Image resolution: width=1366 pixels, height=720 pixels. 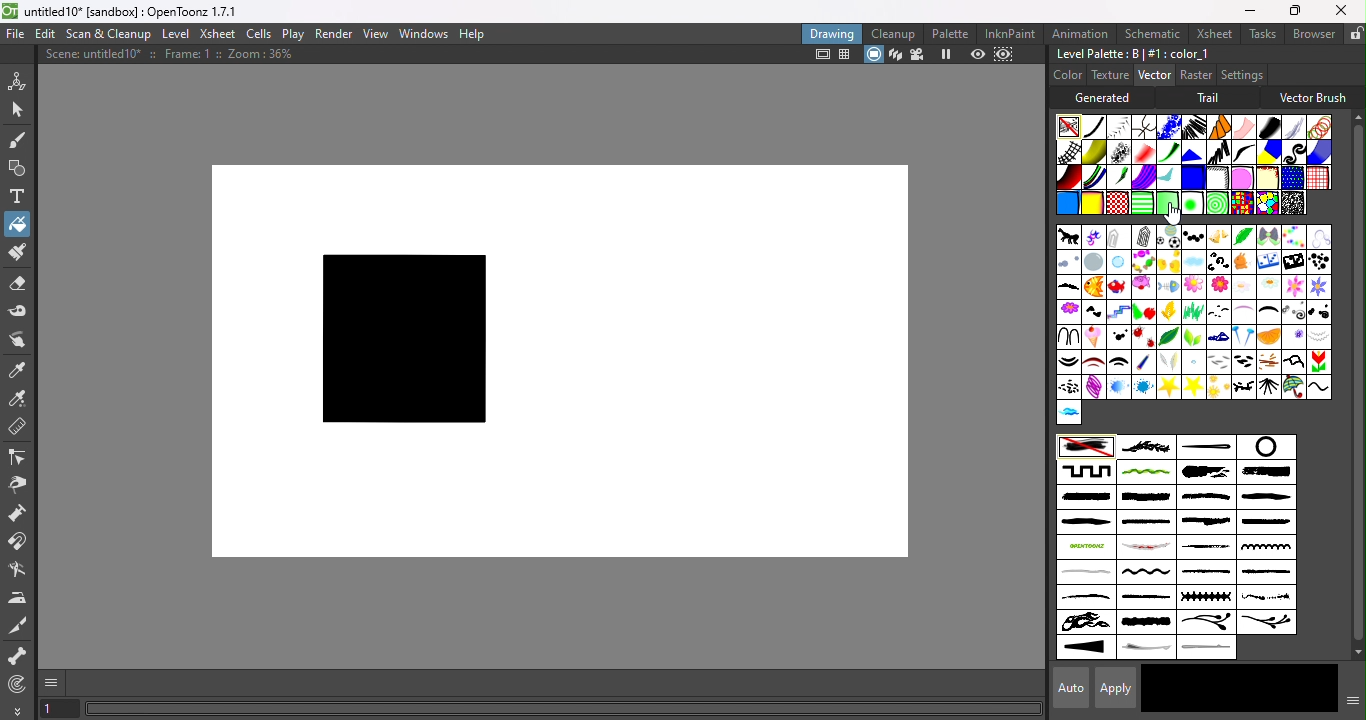 I want to click on simple_trail, so click(x=1084, y=572).